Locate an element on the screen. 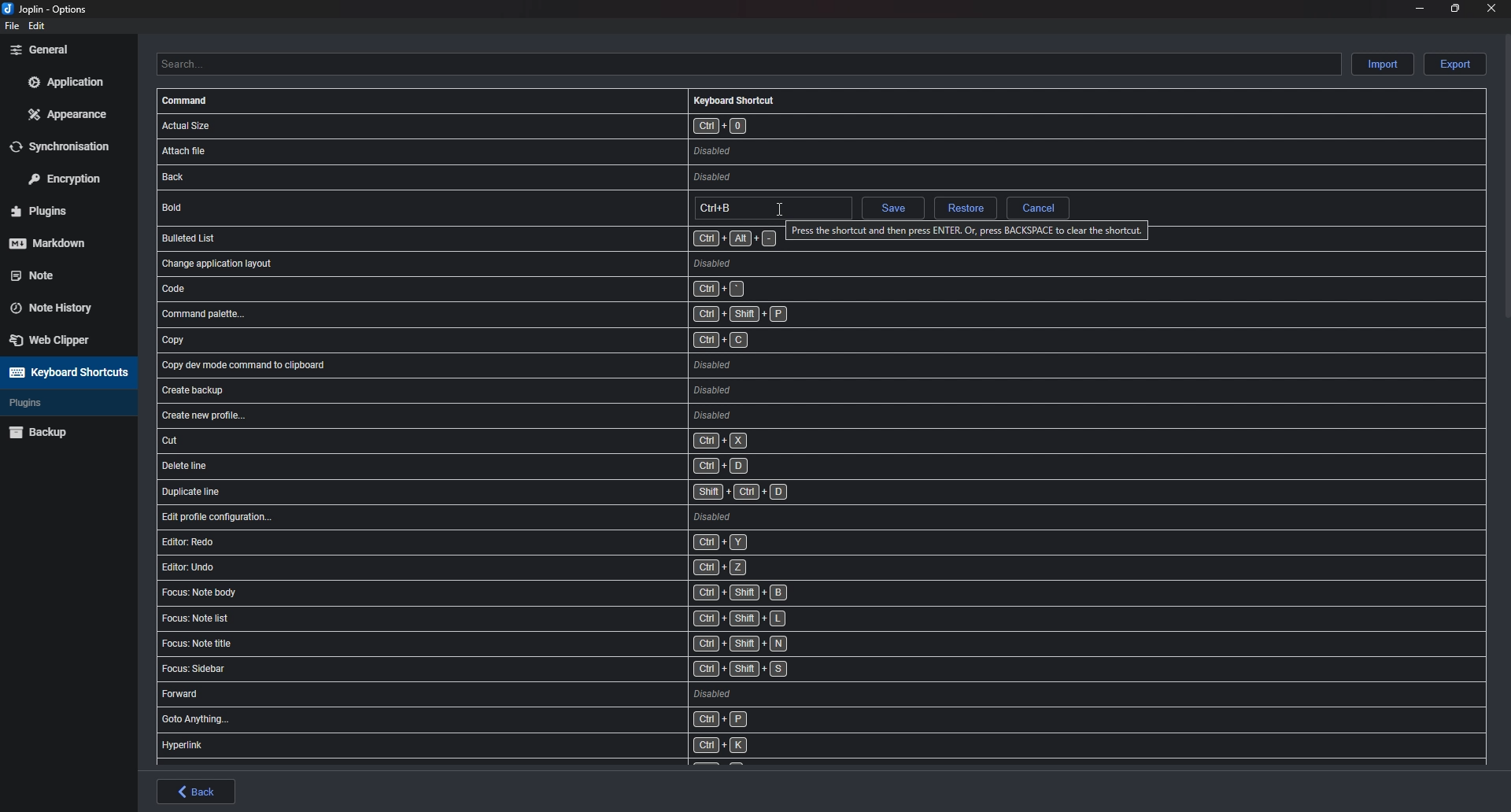 This screenshot has height=812, width=1511. note is located at coordinates (59, 274).